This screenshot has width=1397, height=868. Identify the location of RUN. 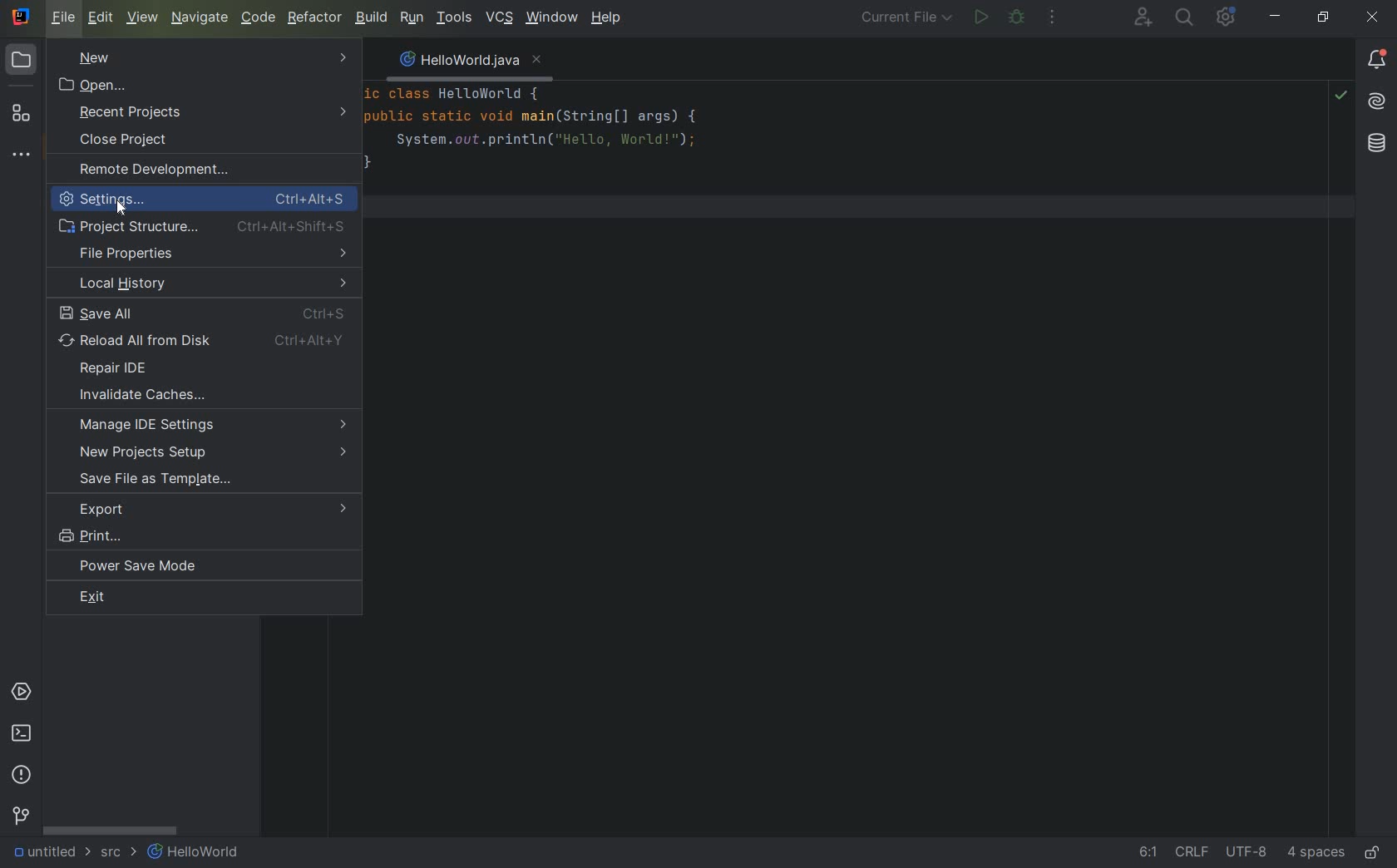
(979, 18).